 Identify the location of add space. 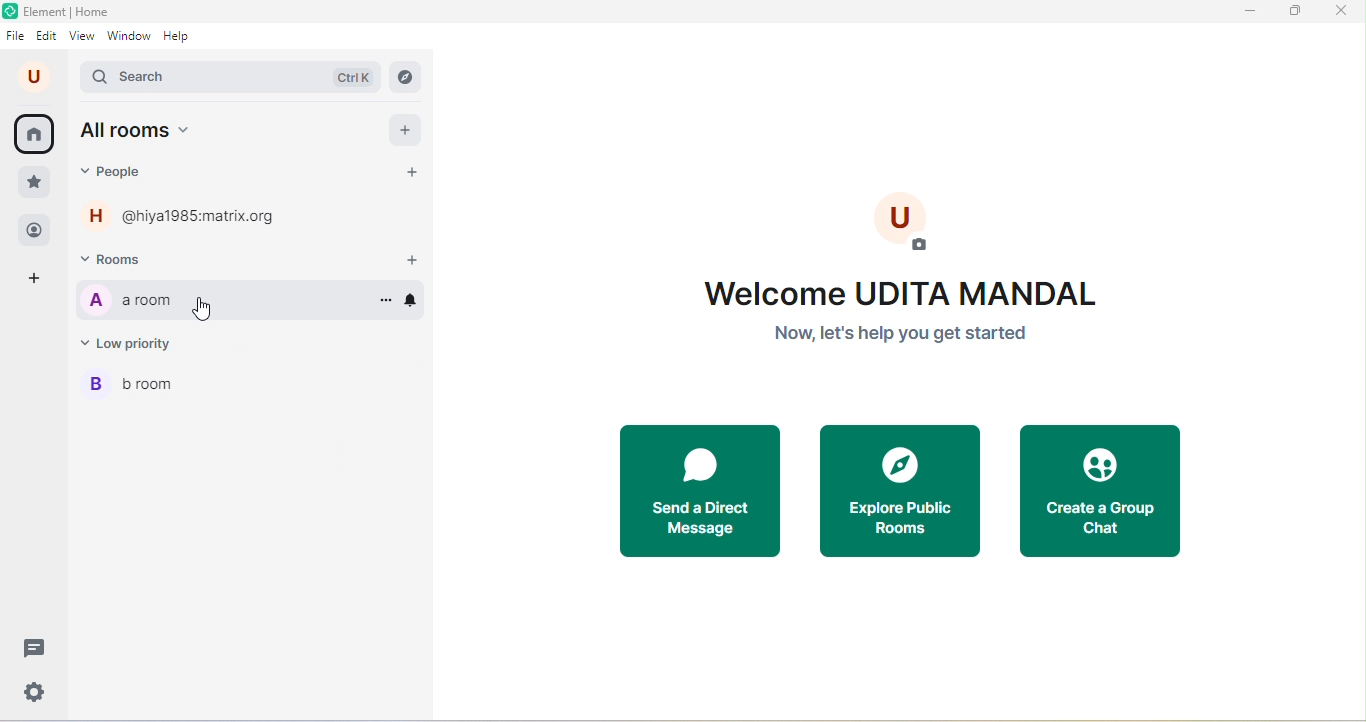
(37, 280).